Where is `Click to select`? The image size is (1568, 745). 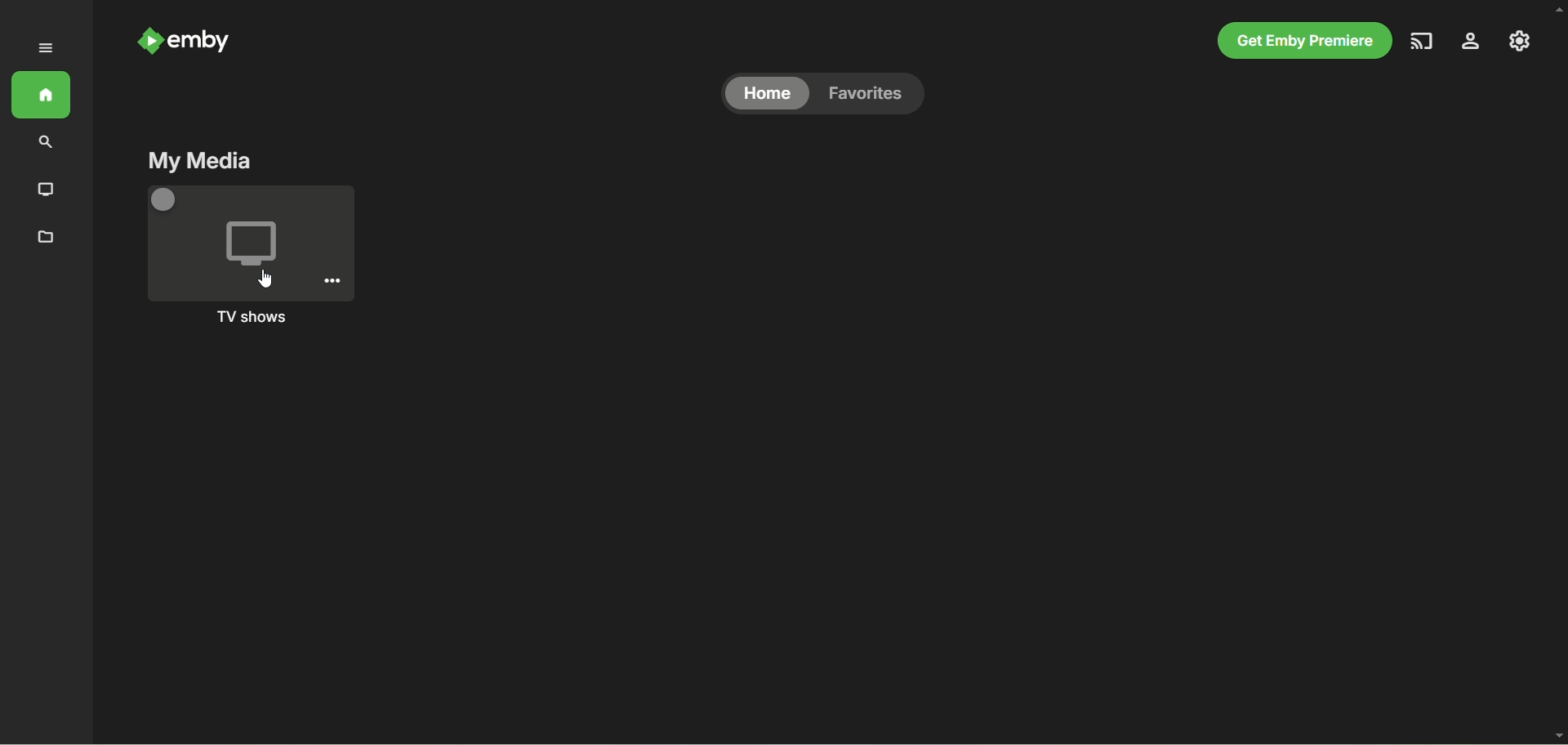 Click to select is located at coordinates (163, 199).